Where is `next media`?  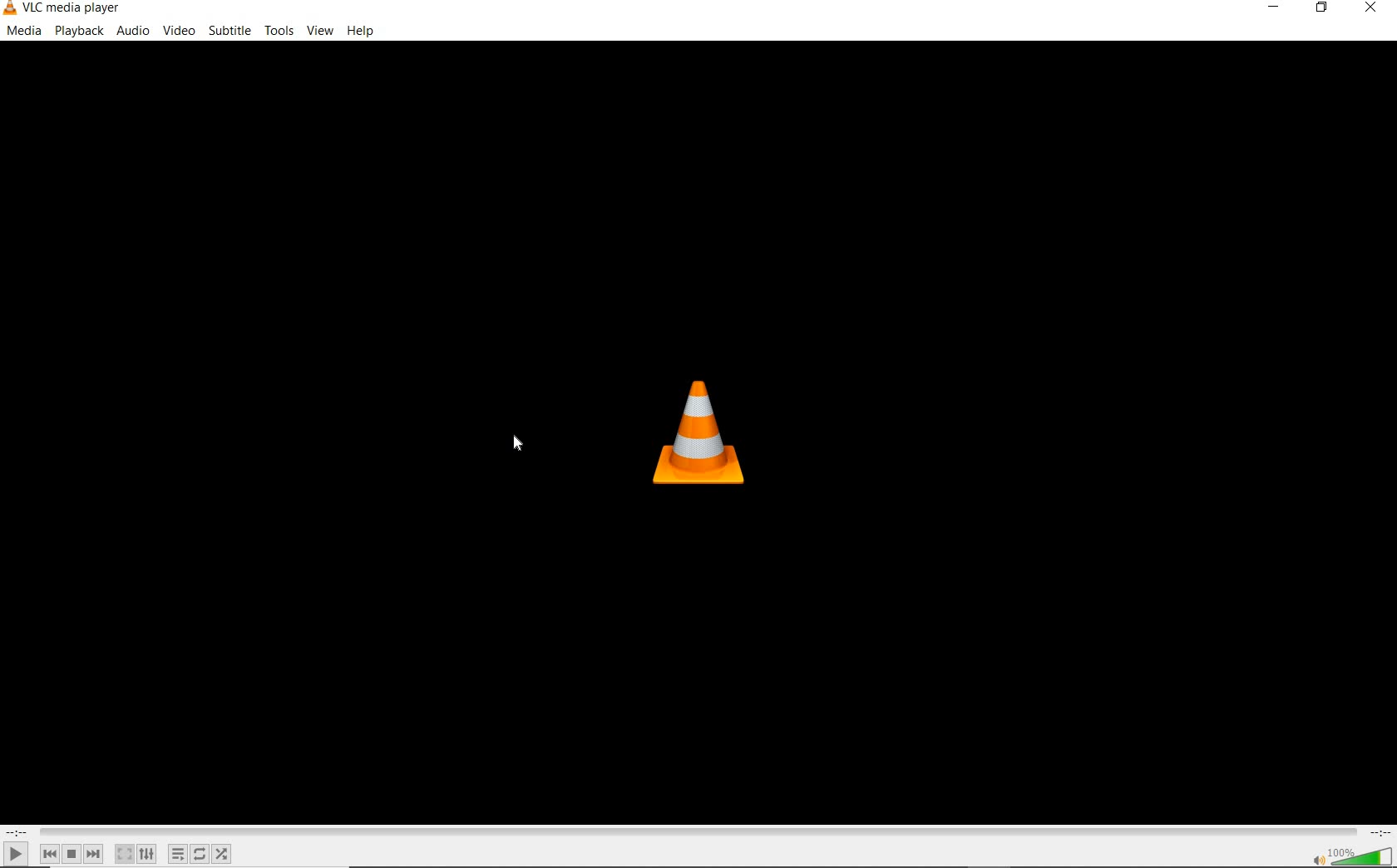
next media is located at coordinates (95, 854).